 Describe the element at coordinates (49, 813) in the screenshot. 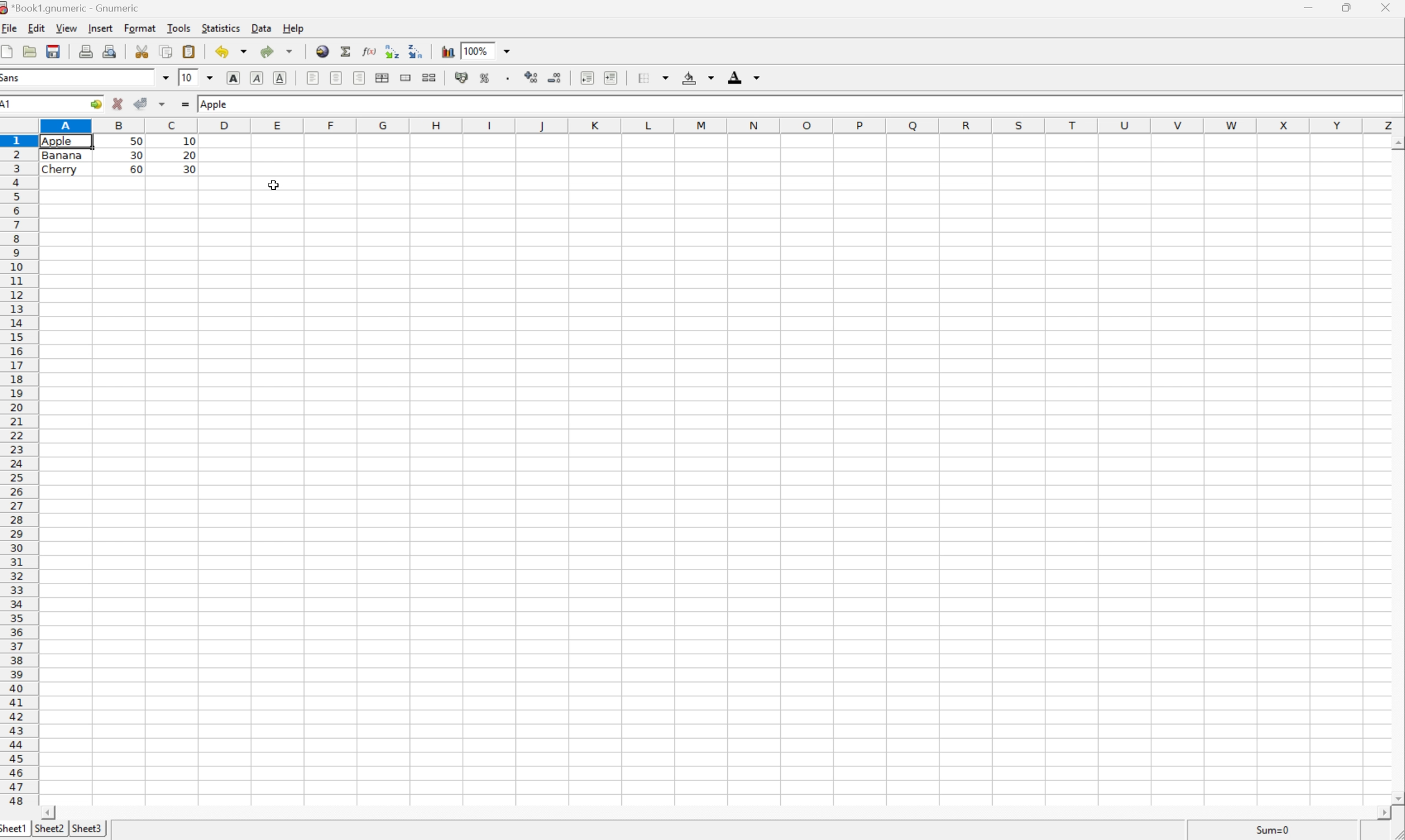

I see `scroll left` at that location.